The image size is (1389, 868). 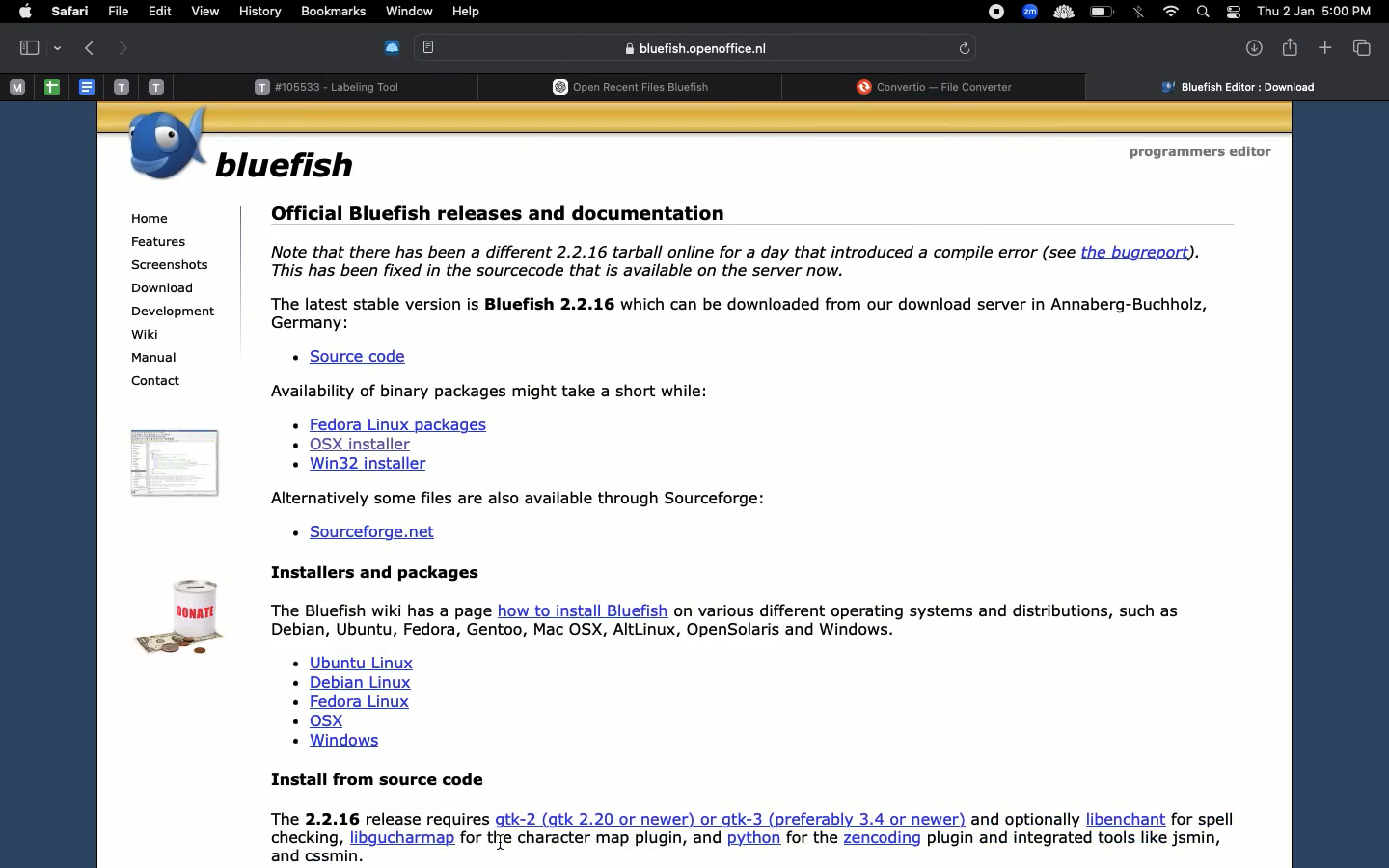 I want to click on chatgpt, so click(x=638, y=89).